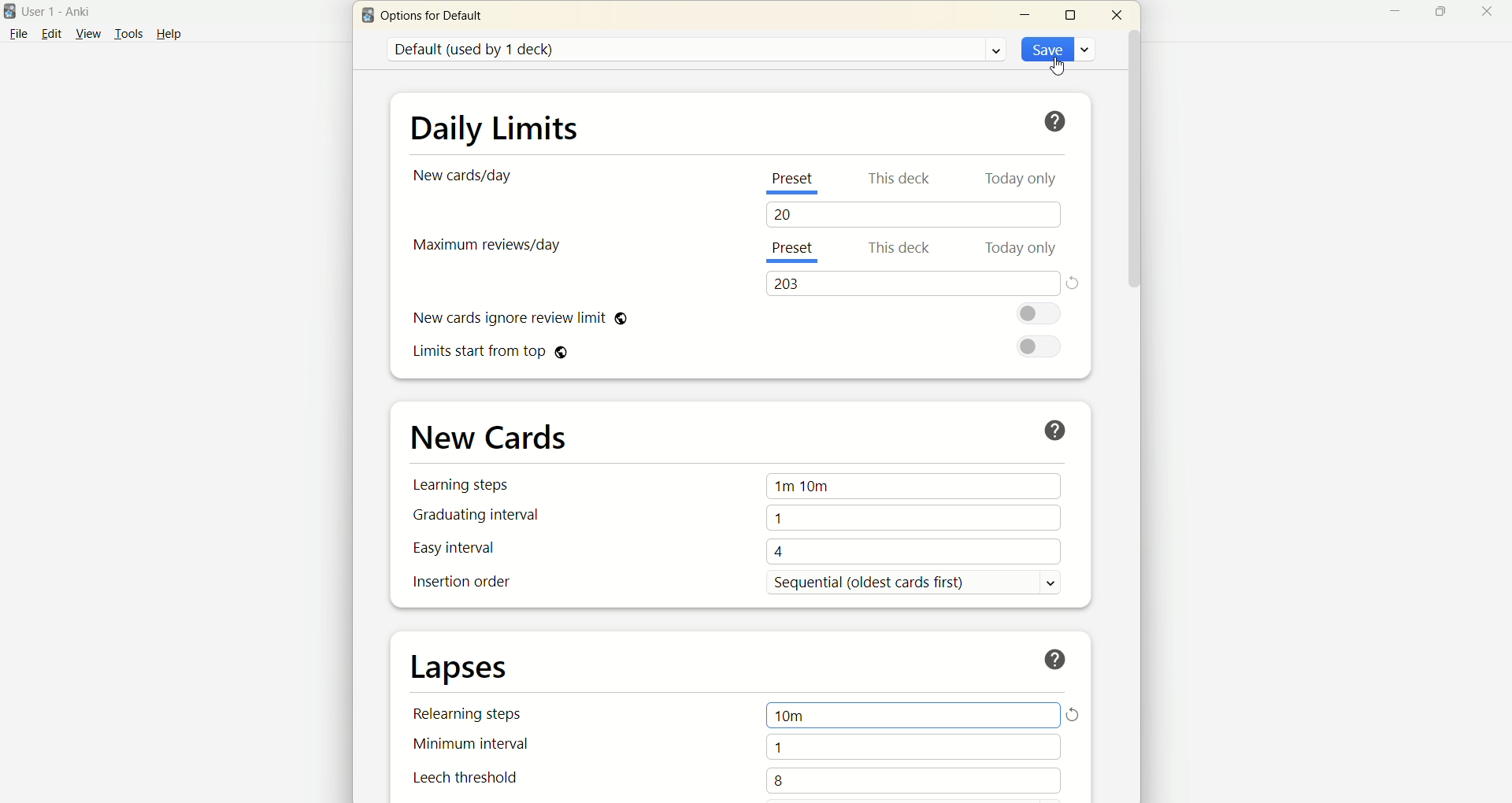 This screenshot has height=803, width=1512. I want to click on 1m 10m, so click(915, 487).